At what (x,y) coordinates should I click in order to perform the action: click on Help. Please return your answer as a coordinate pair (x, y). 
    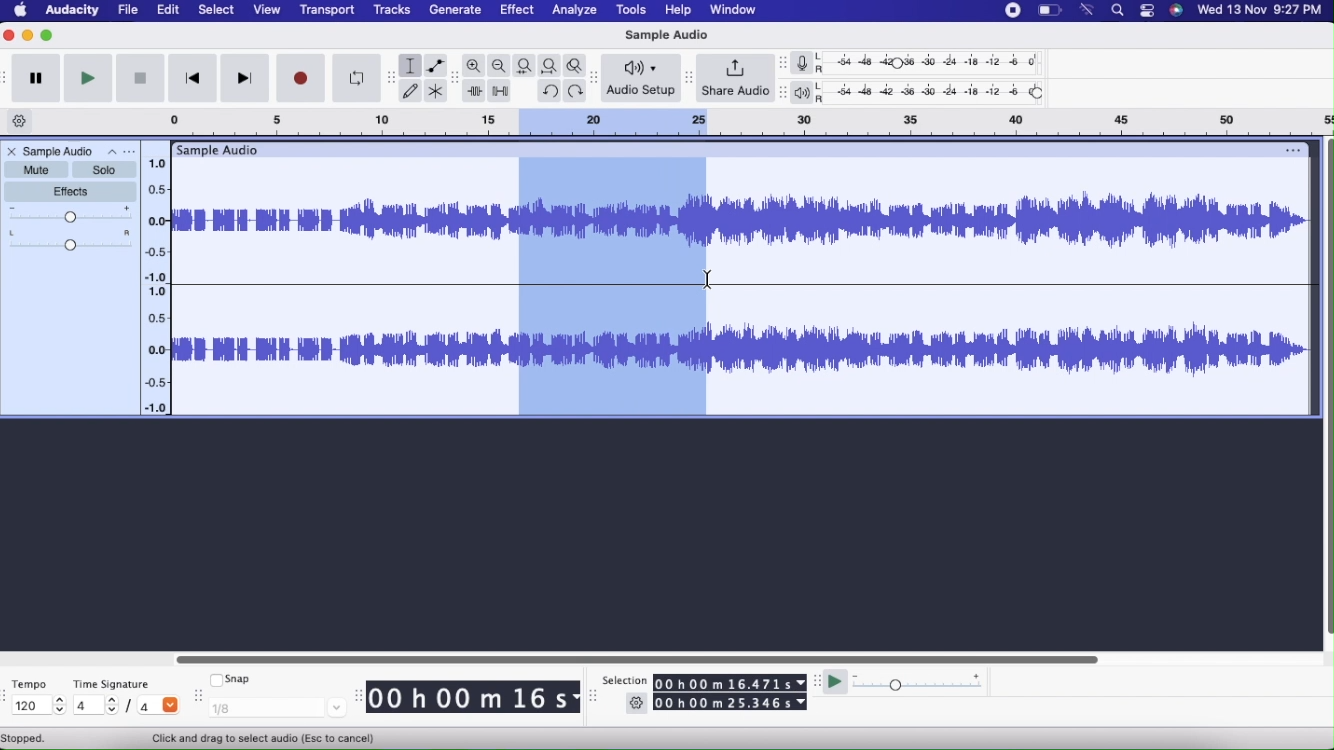
    Looking at the image, I should click on (676, 10).